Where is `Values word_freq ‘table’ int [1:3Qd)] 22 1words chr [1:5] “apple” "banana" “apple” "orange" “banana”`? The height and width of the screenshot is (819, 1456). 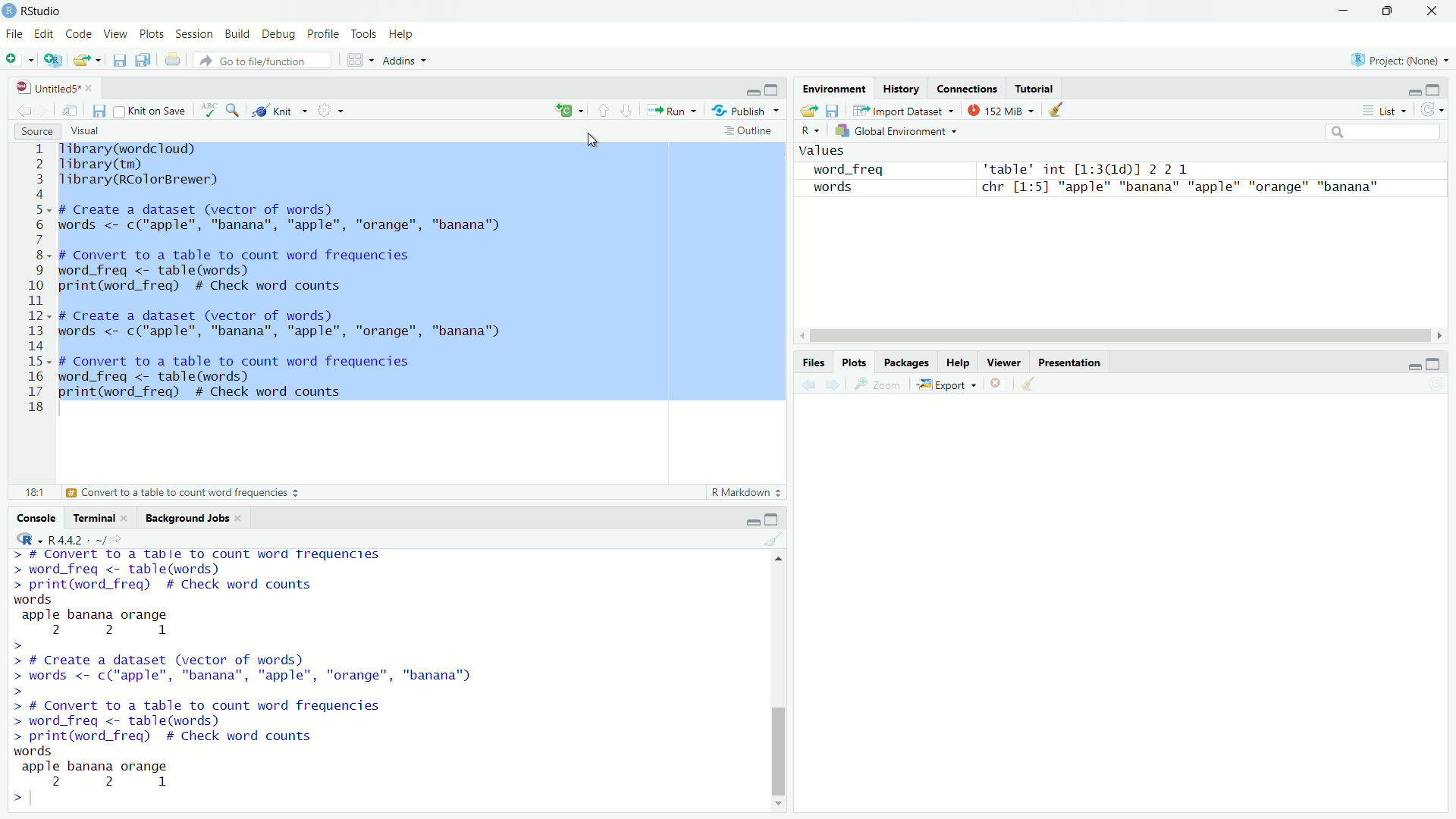
Values word_freq ‘table’ int [1:3Qd)] 22 1words chr [1:5] “apple” "banana" “apple” "orange" “banana” is located at coordinates (1088, 175).